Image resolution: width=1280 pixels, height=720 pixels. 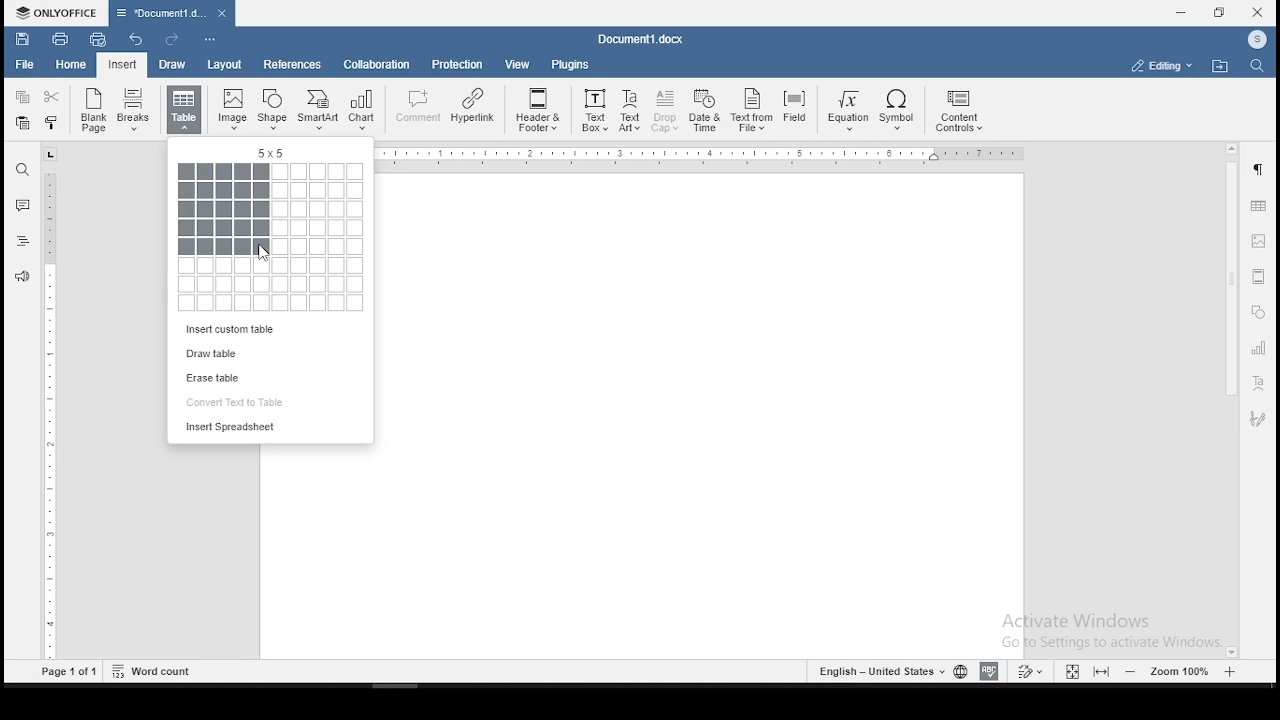 I want to click on SmartArt, so click(x=317, y=110).